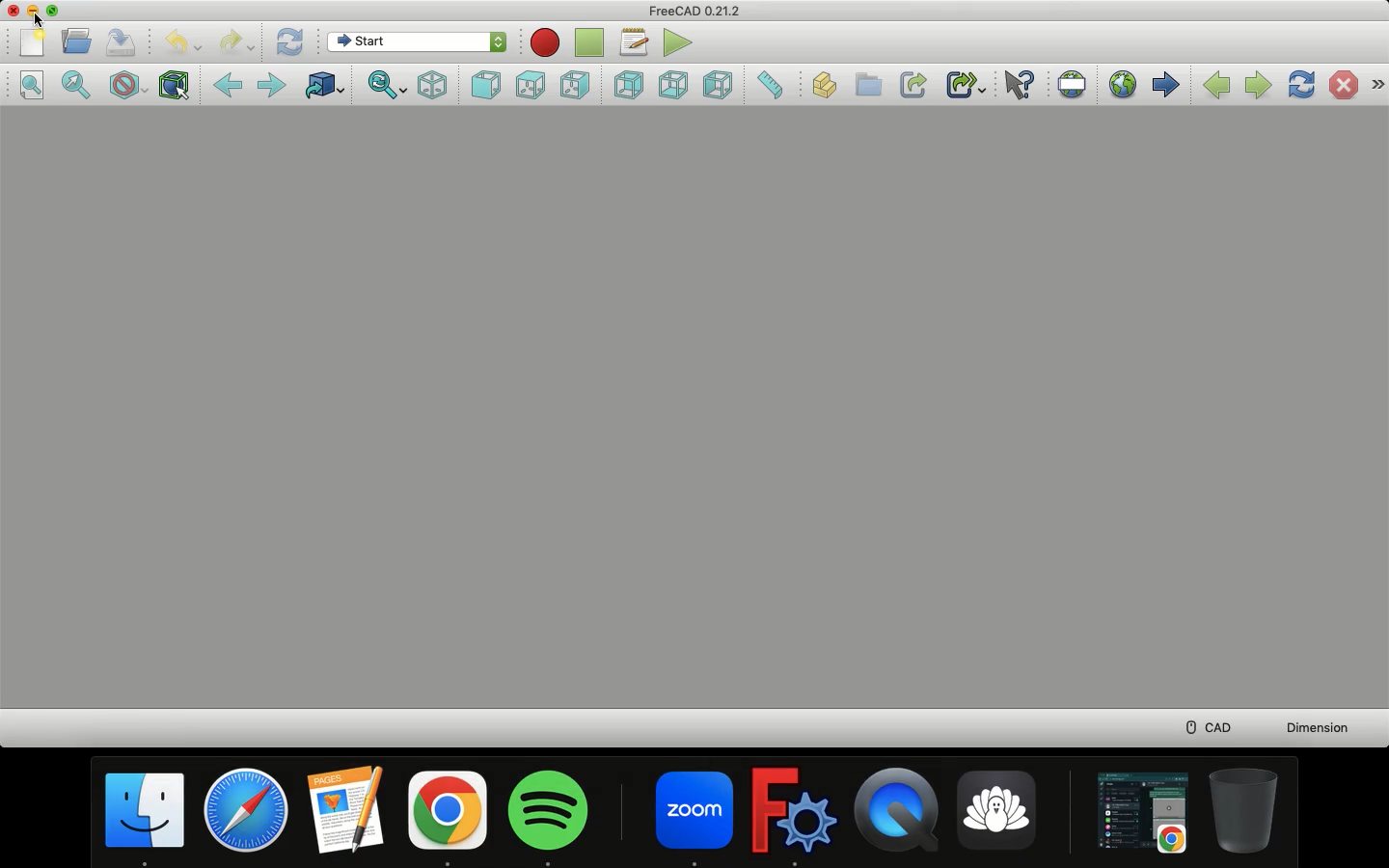  I want to click on Pages, so click(346, 811).